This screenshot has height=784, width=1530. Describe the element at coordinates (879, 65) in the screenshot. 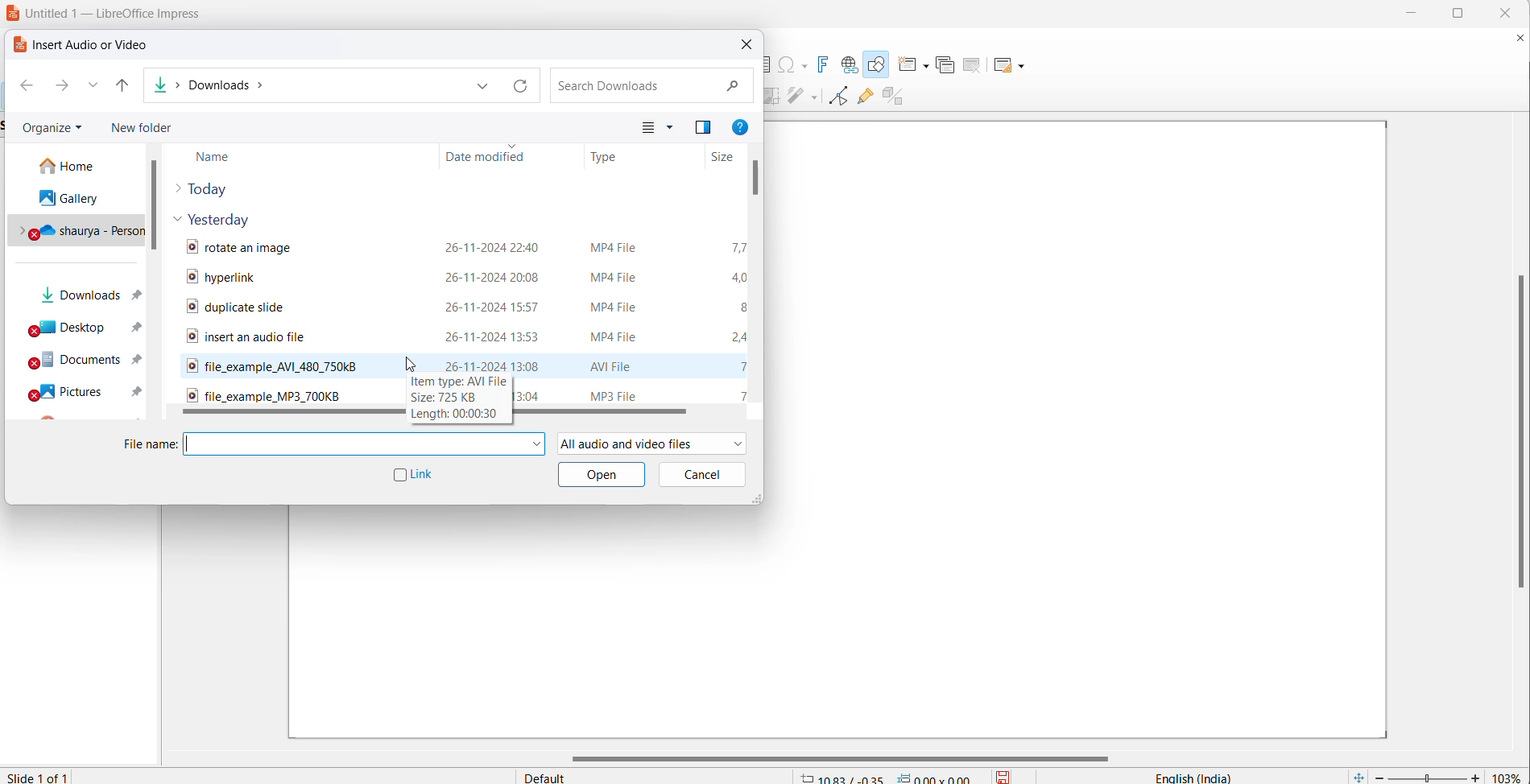

I see `draw shapes tool` at that location.